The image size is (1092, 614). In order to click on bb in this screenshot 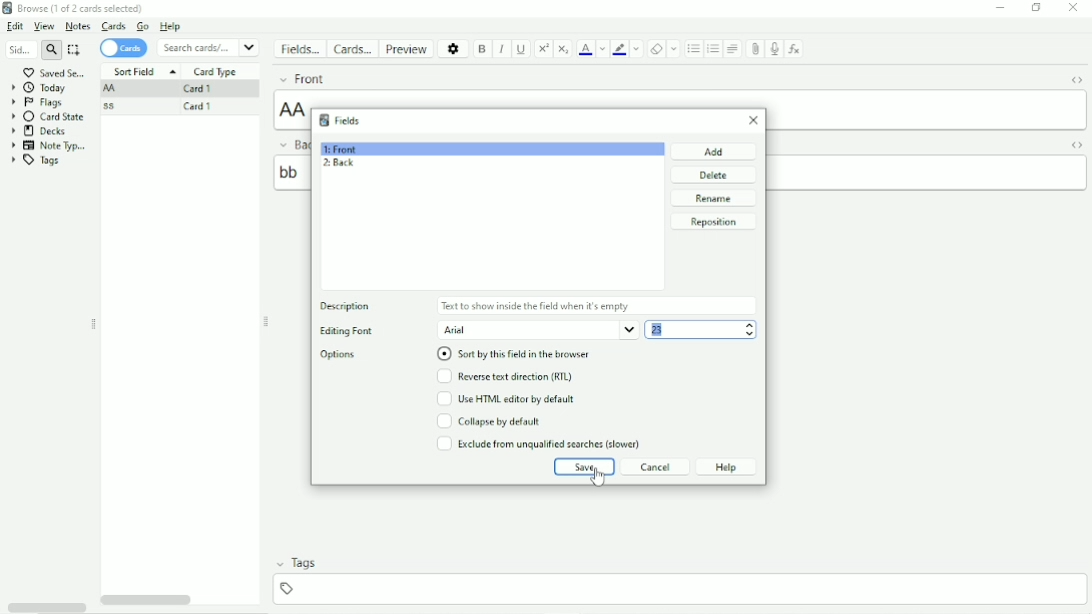, I will do `click(927, 173)`.